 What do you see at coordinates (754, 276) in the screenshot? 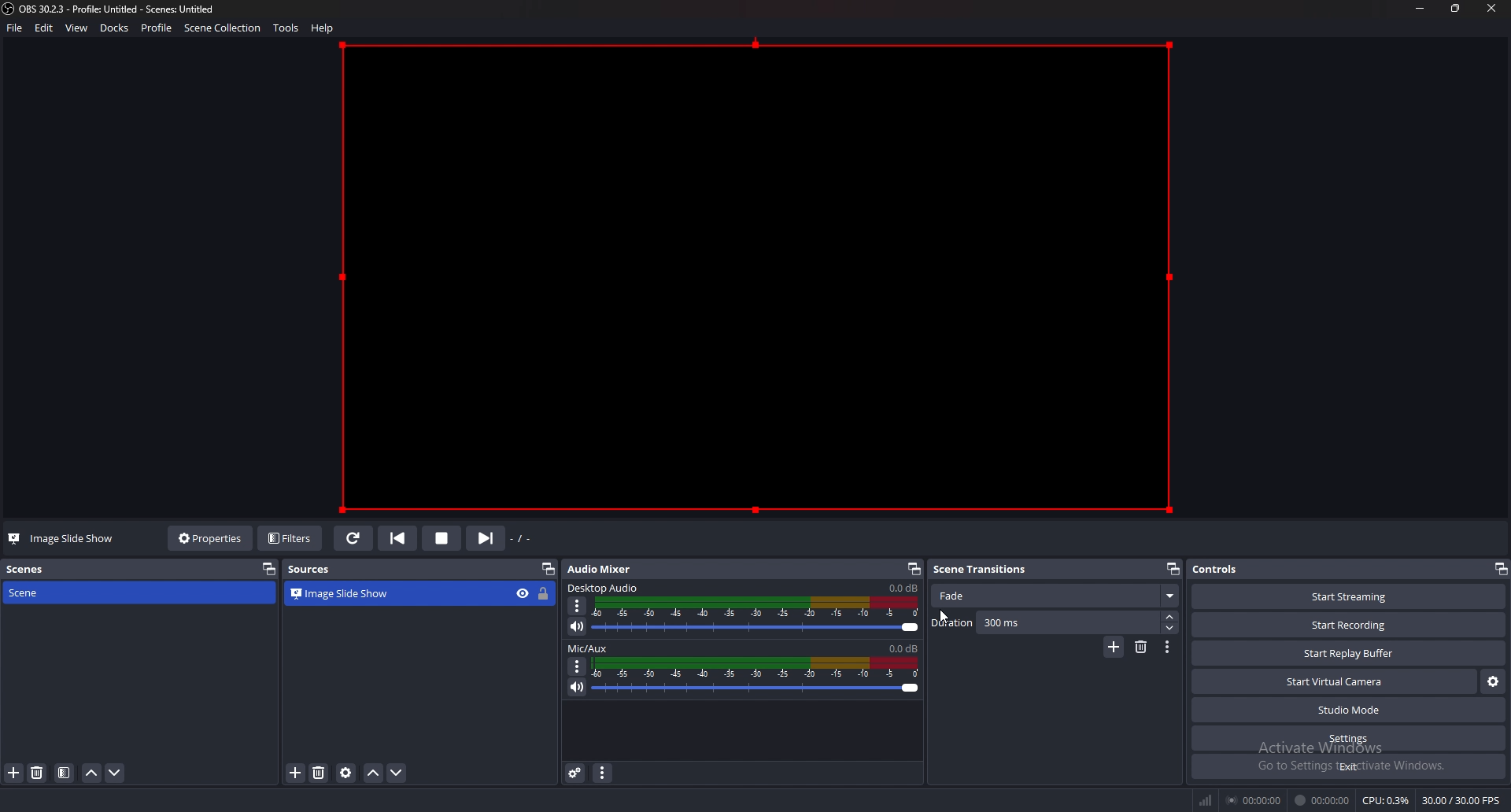
I see `source` at bounding box center [754, 276].